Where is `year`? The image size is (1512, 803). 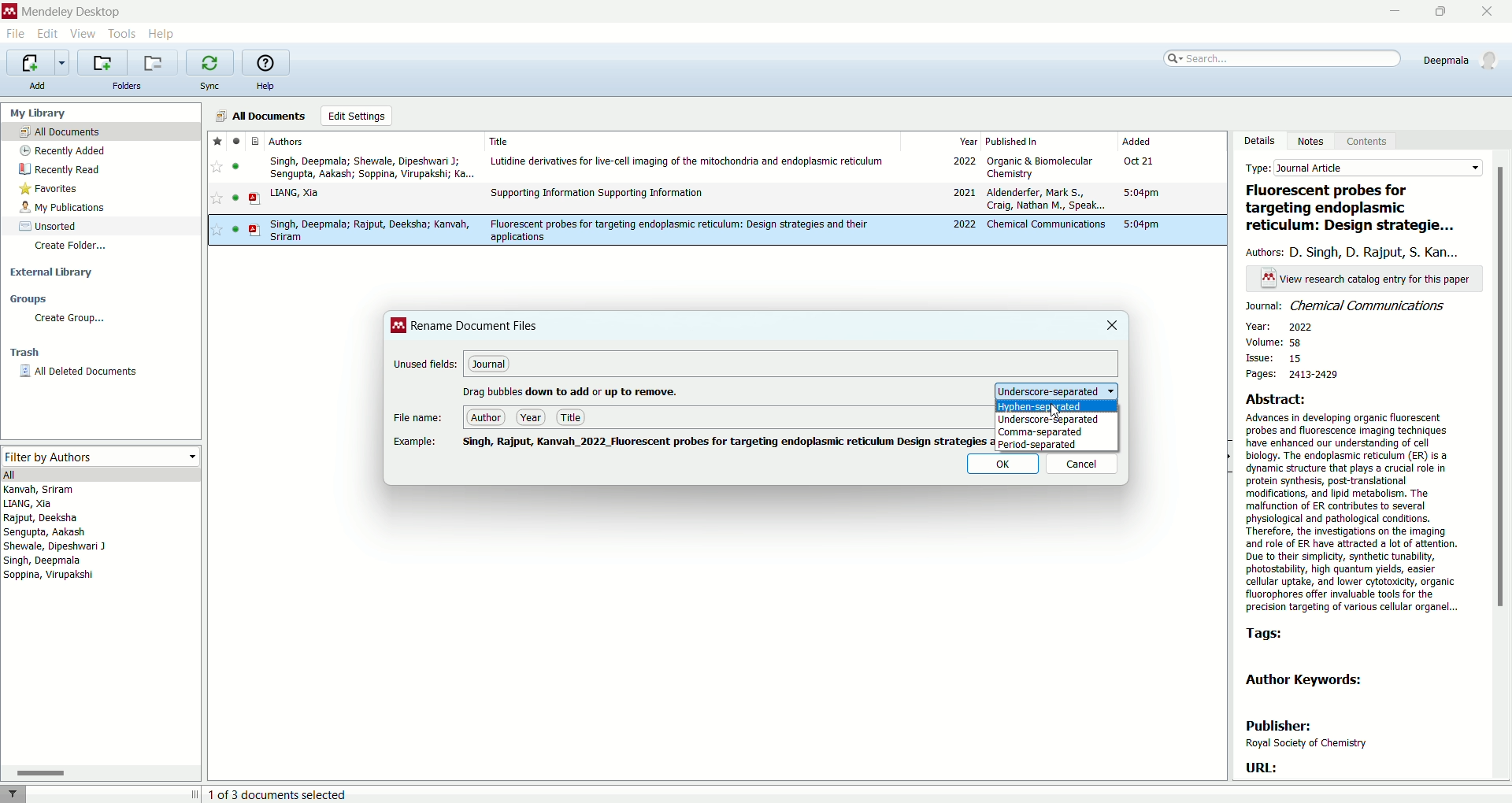 year is located at coordinates (532, 417).